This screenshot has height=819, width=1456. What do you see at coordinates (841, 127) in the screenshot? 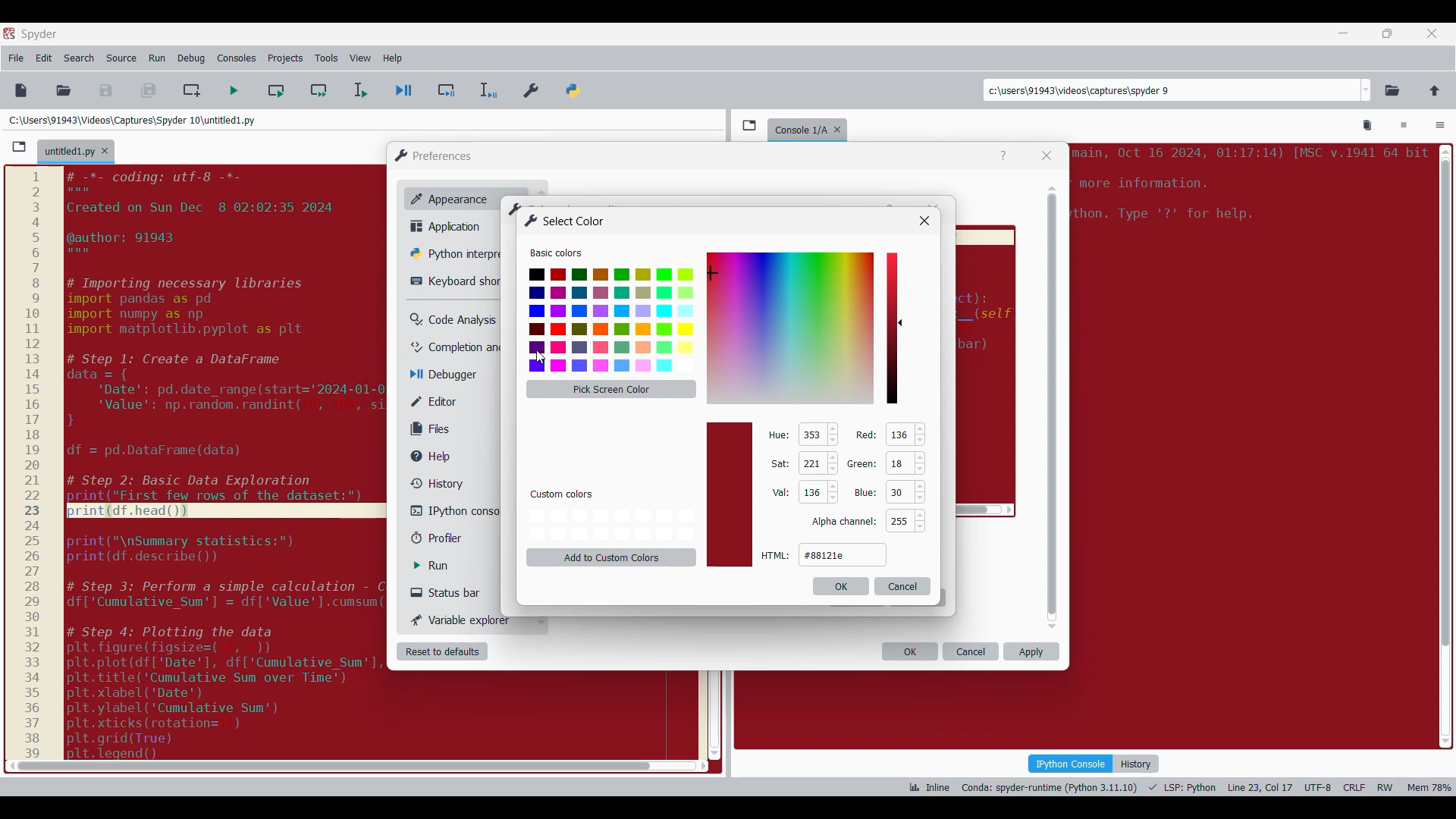
I see `Close tab` at bounding box center [841, 127].